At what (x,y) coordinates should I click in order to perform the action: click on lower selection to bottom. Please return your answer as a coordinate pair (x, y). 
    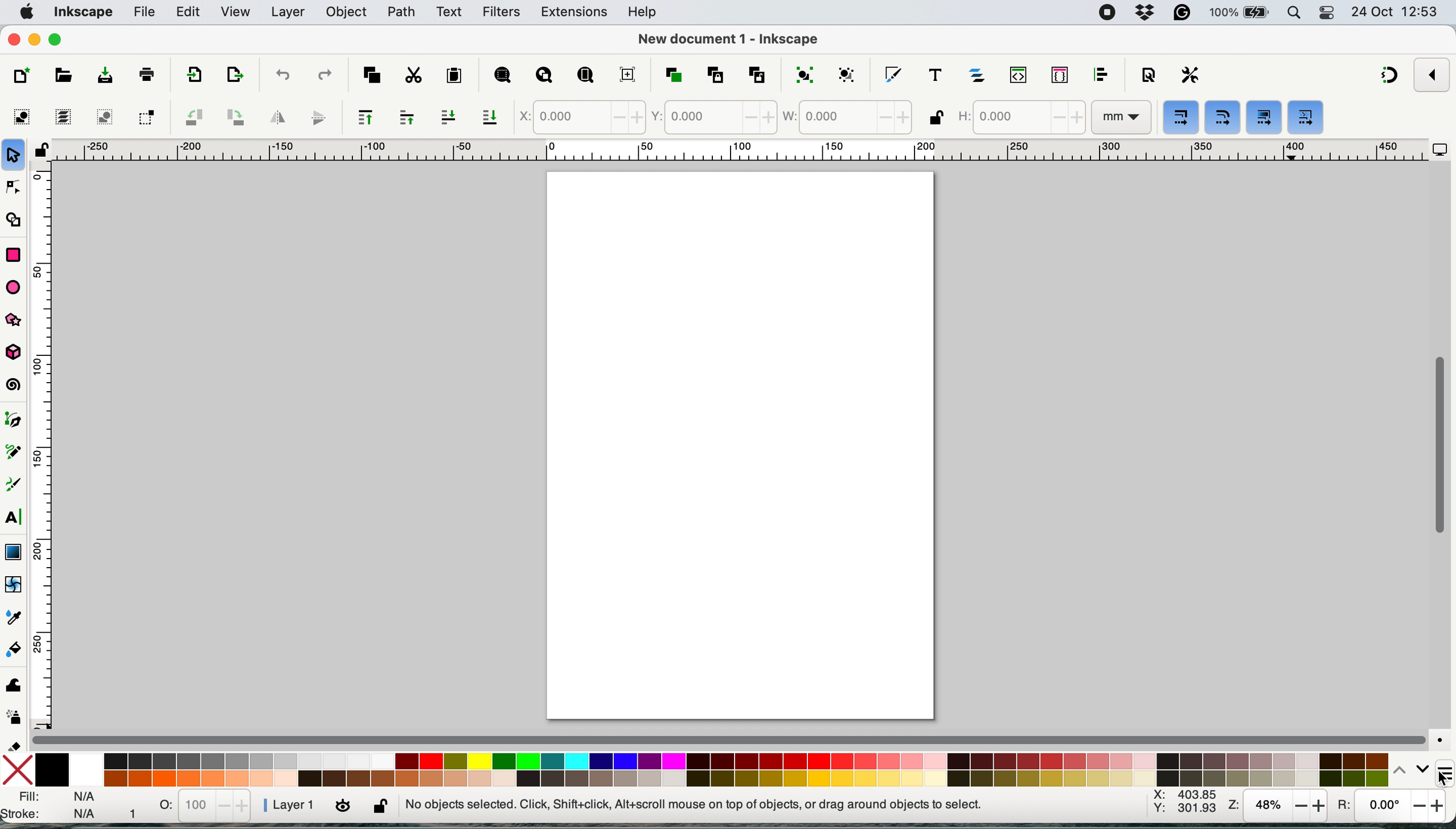
    Looking at the image, I should click on (490, 117).